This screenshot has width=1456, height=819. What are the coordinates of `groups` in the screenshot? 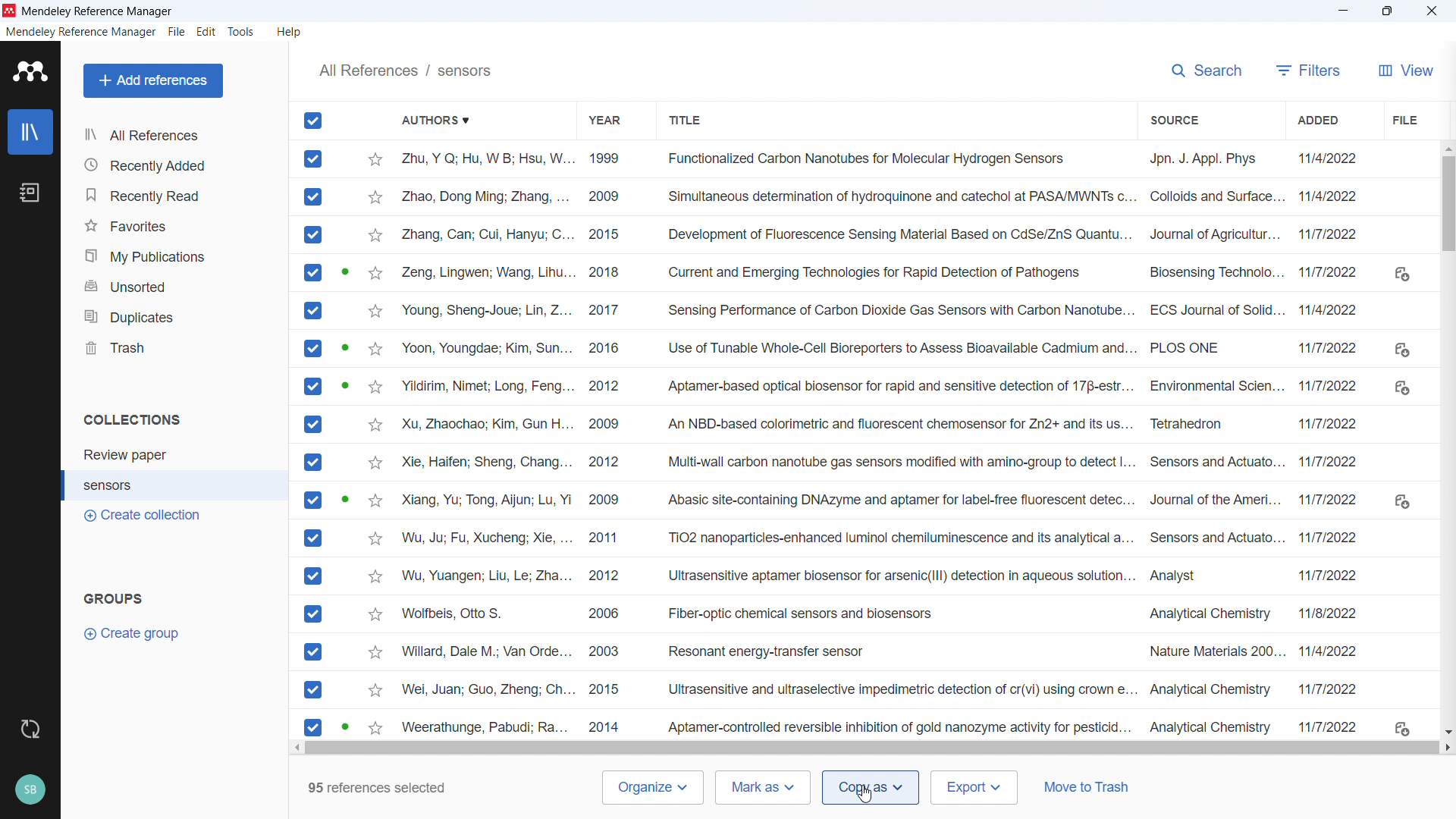 It's located at (113, 598).